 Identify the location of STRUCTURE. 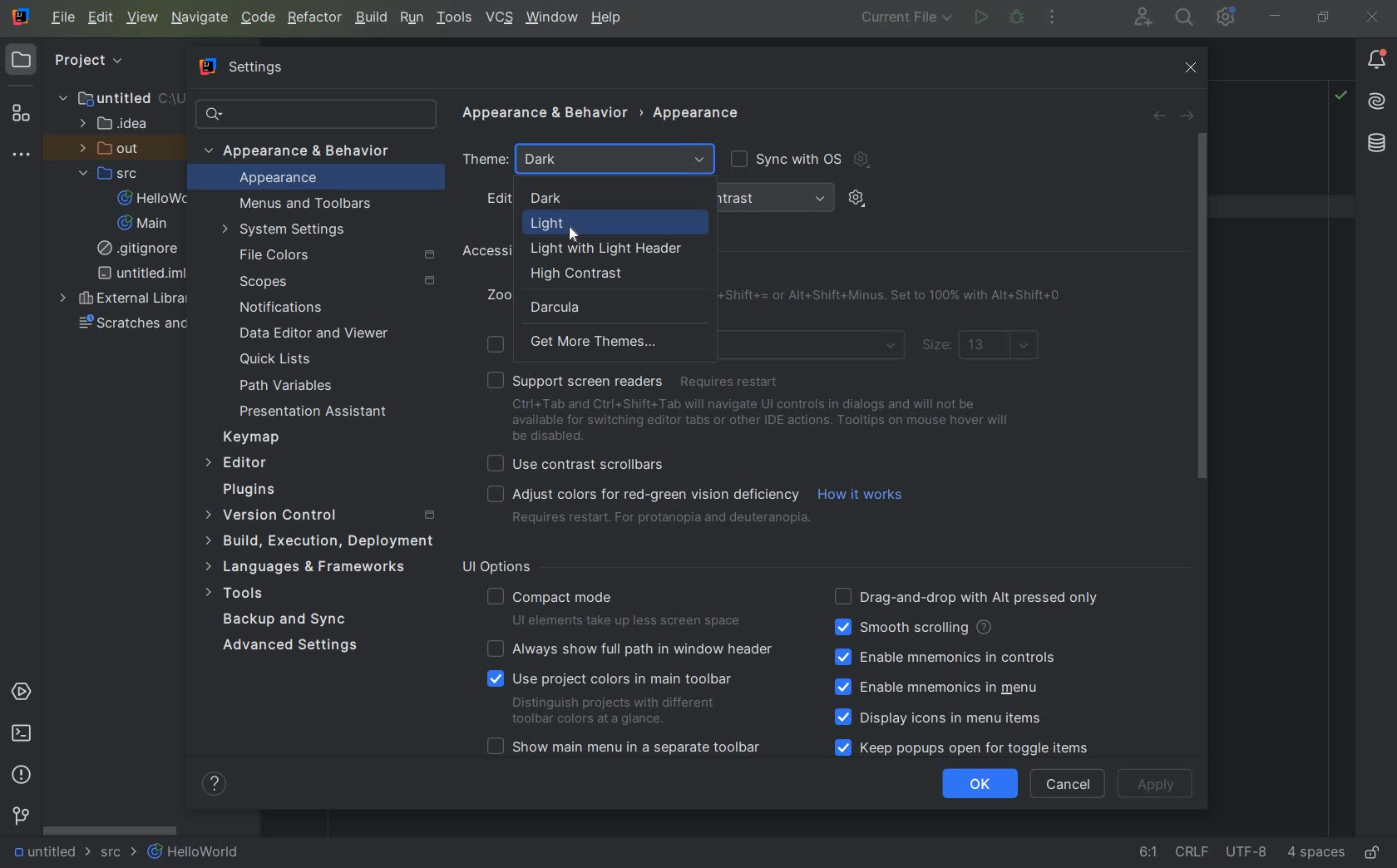
(21, 113).